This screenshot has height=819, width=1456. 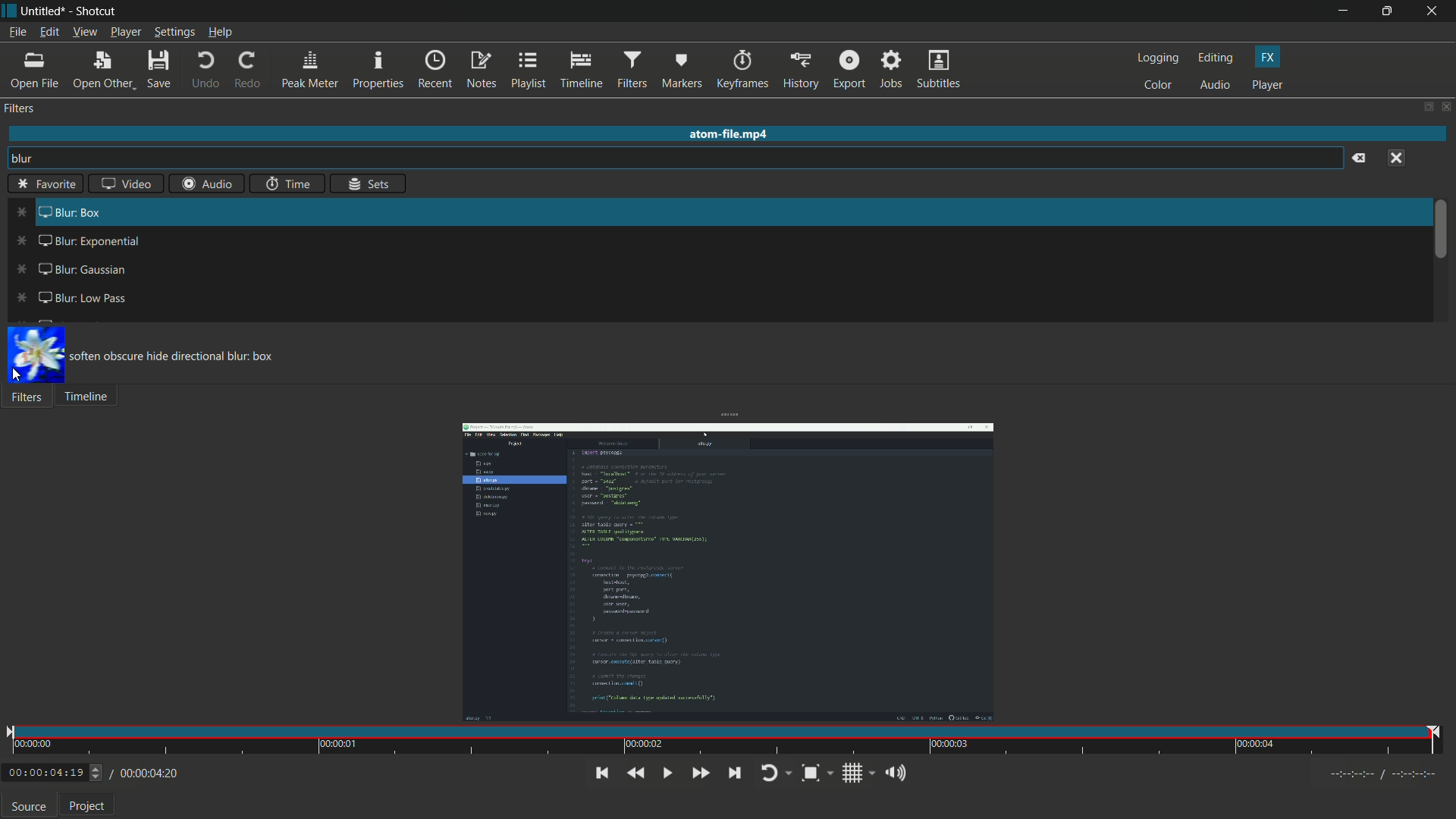 I want to click on markers, so click(x=680, y=73).